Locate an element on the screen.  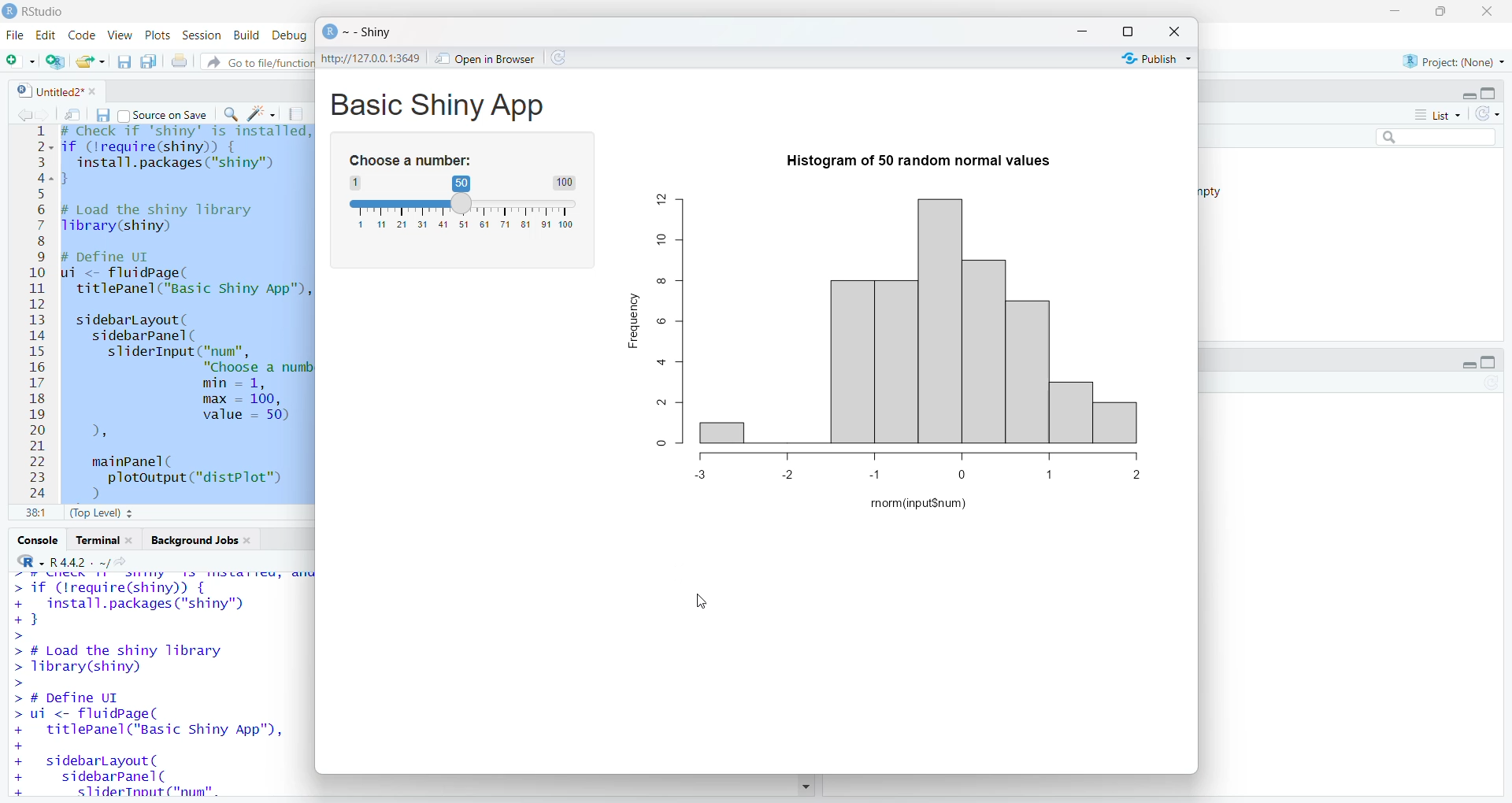
minimize is located at coordinates (1082, 32).